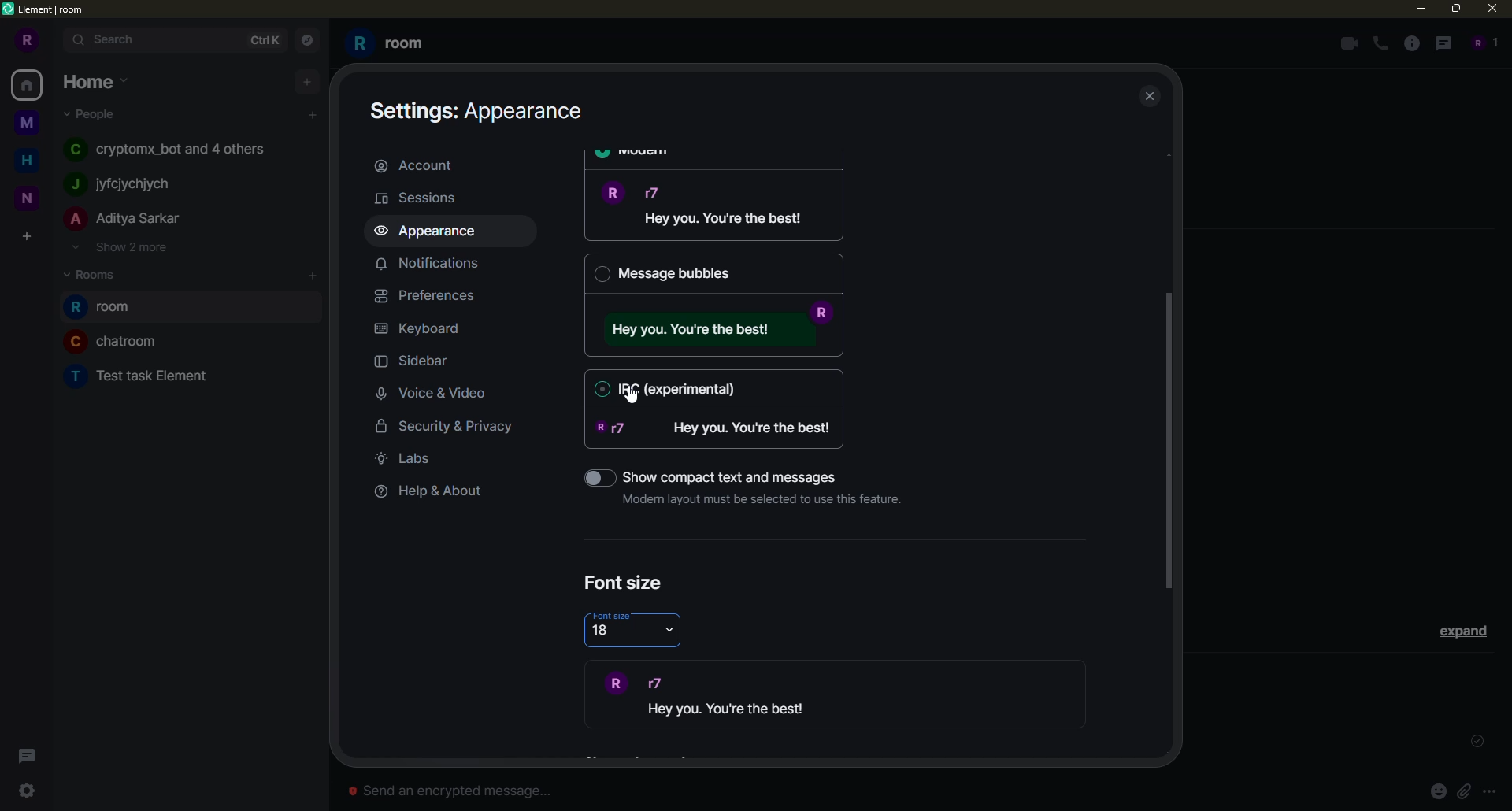  Describe the element at coordinates (387, 43) in the screenshot. I see `room` at that location.